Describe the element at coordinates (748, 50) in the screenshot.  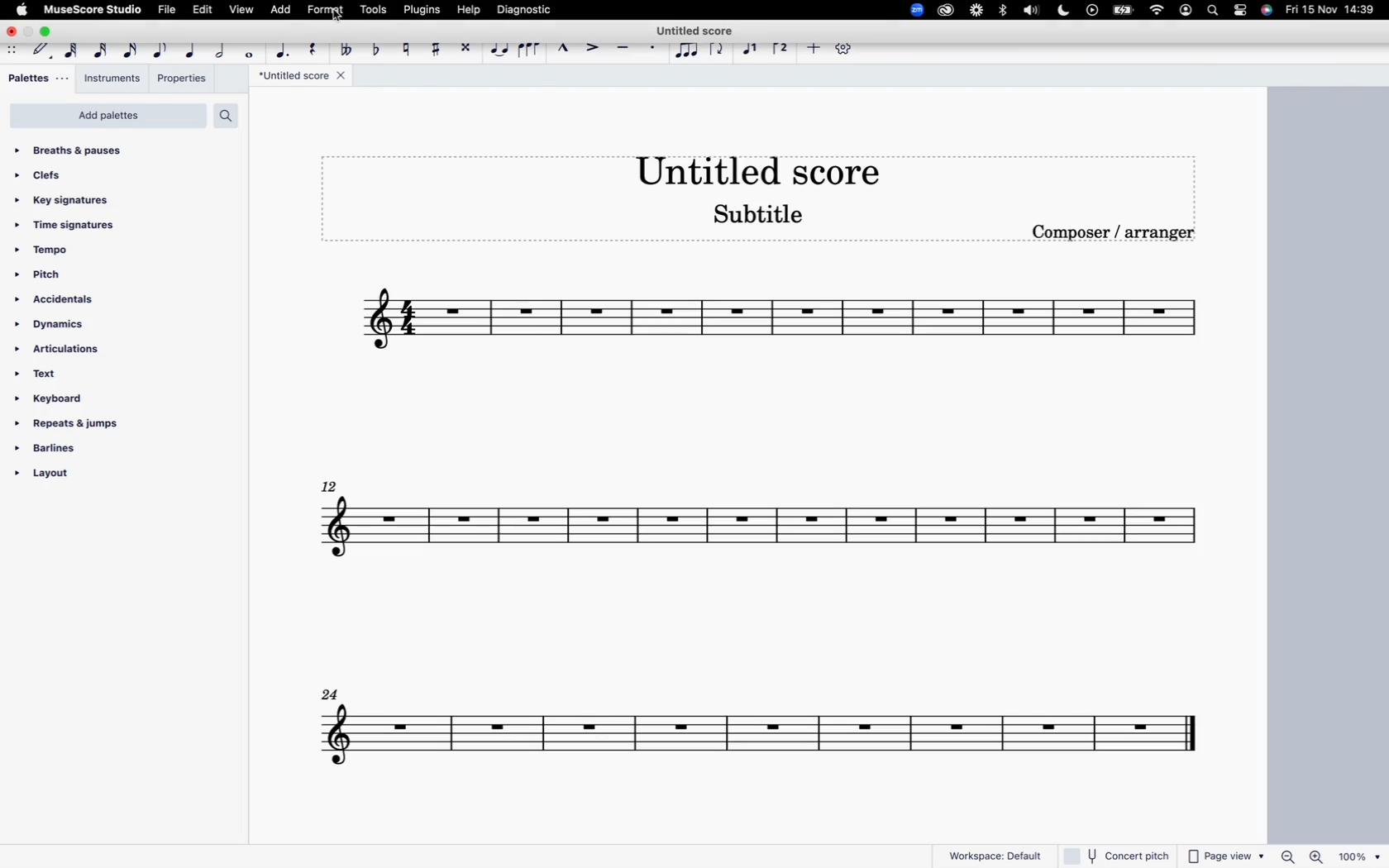
I see `voice 1` at that location.